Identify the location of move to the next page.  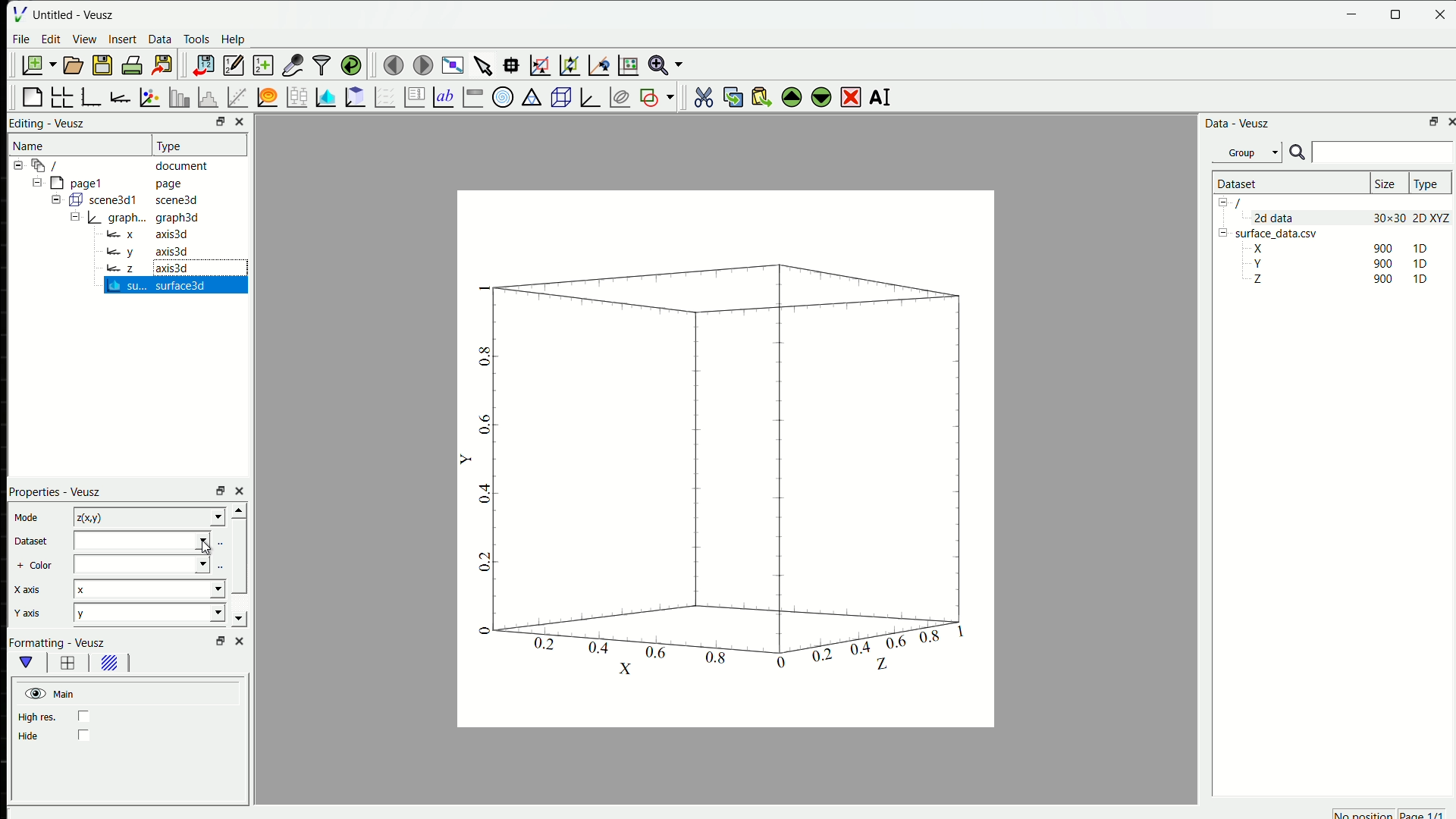
(422, 65).